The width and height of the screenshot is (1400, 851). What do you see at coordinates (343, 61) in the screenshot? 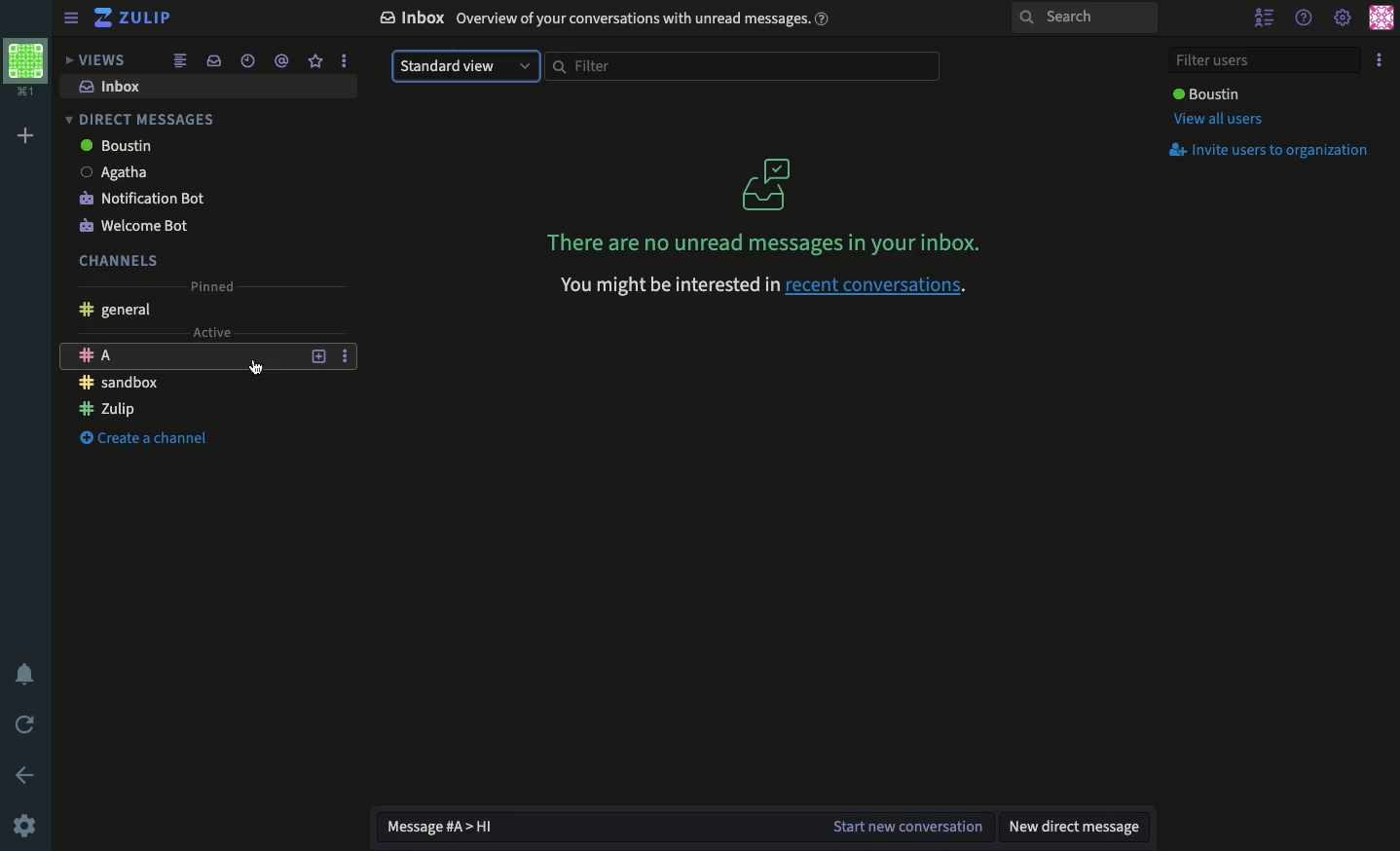
I see `Options` at bounding box center [343, 61].